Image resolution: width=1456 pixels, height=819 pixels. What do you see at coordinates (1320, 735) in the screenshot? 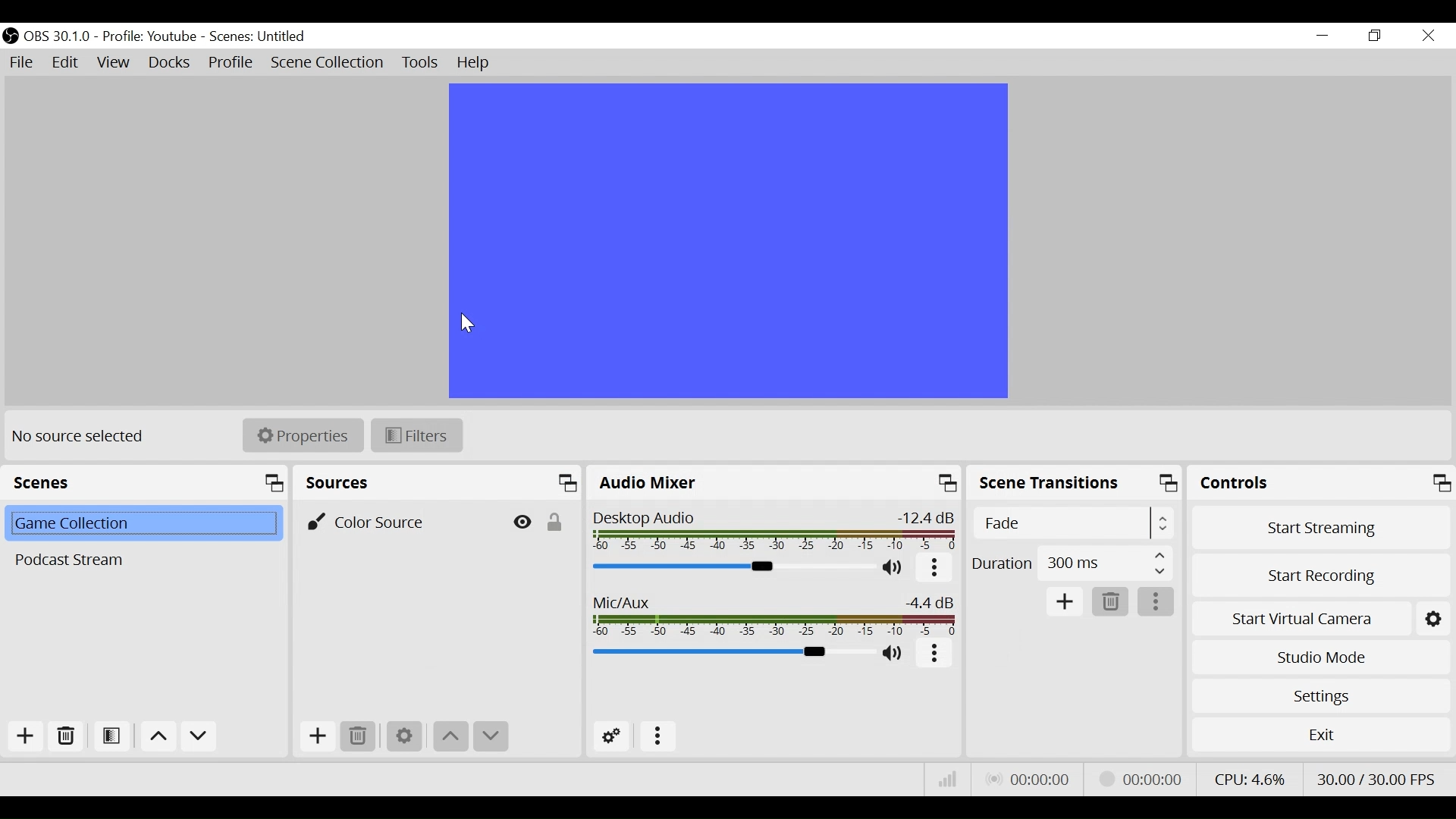
I see `Exit` at bounding box center [1320, 735].